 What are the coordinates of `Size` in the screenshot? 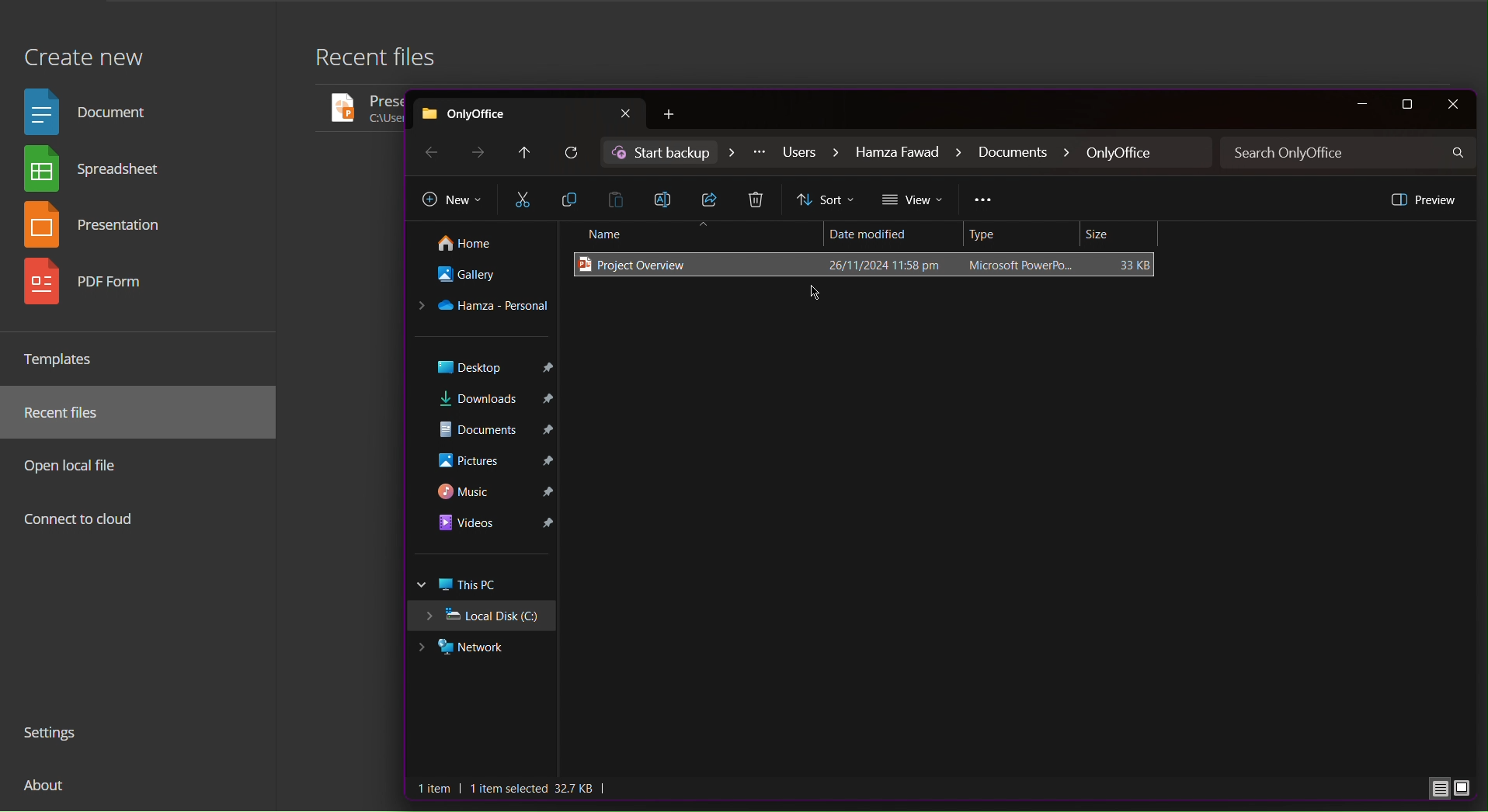 It's located at (1121, 234).